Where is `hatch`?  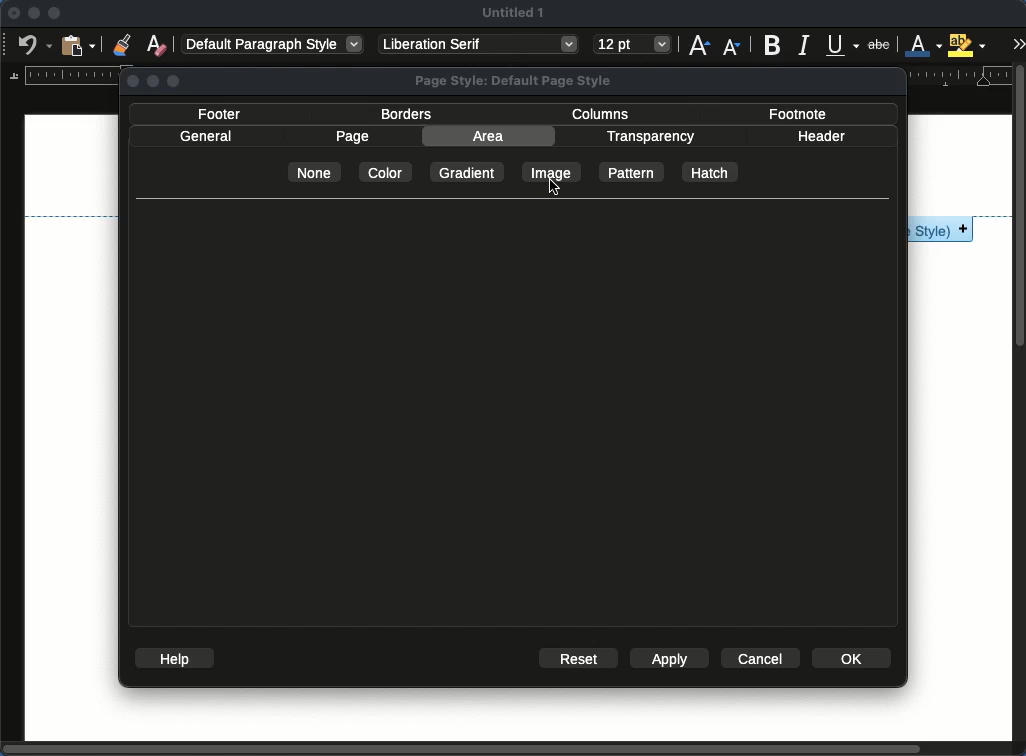
hatch is located at coordinates (711, 171).